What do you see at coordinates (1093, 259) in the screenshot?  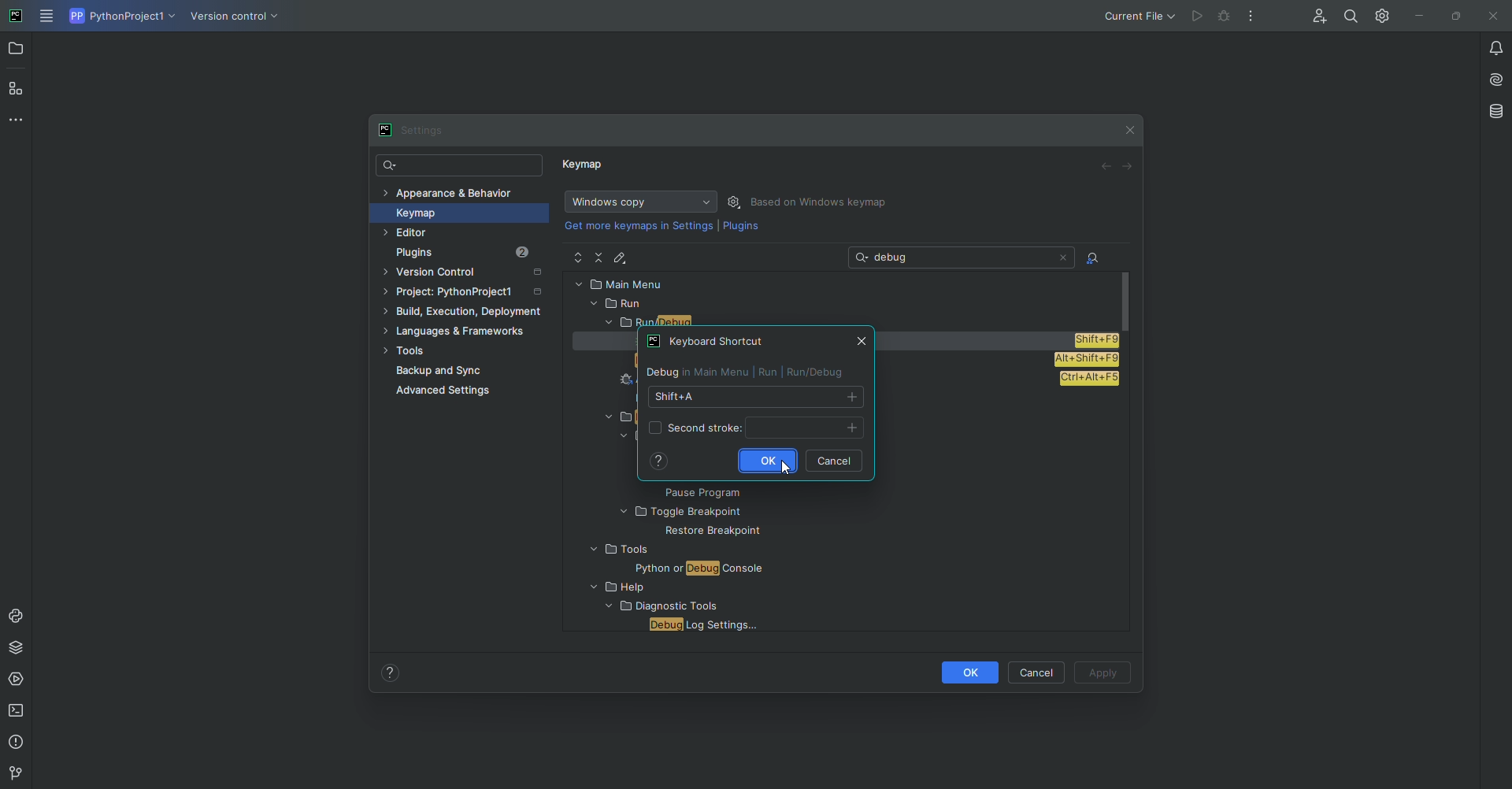 I see `Find Actions` at bounding box center [1093, 259].